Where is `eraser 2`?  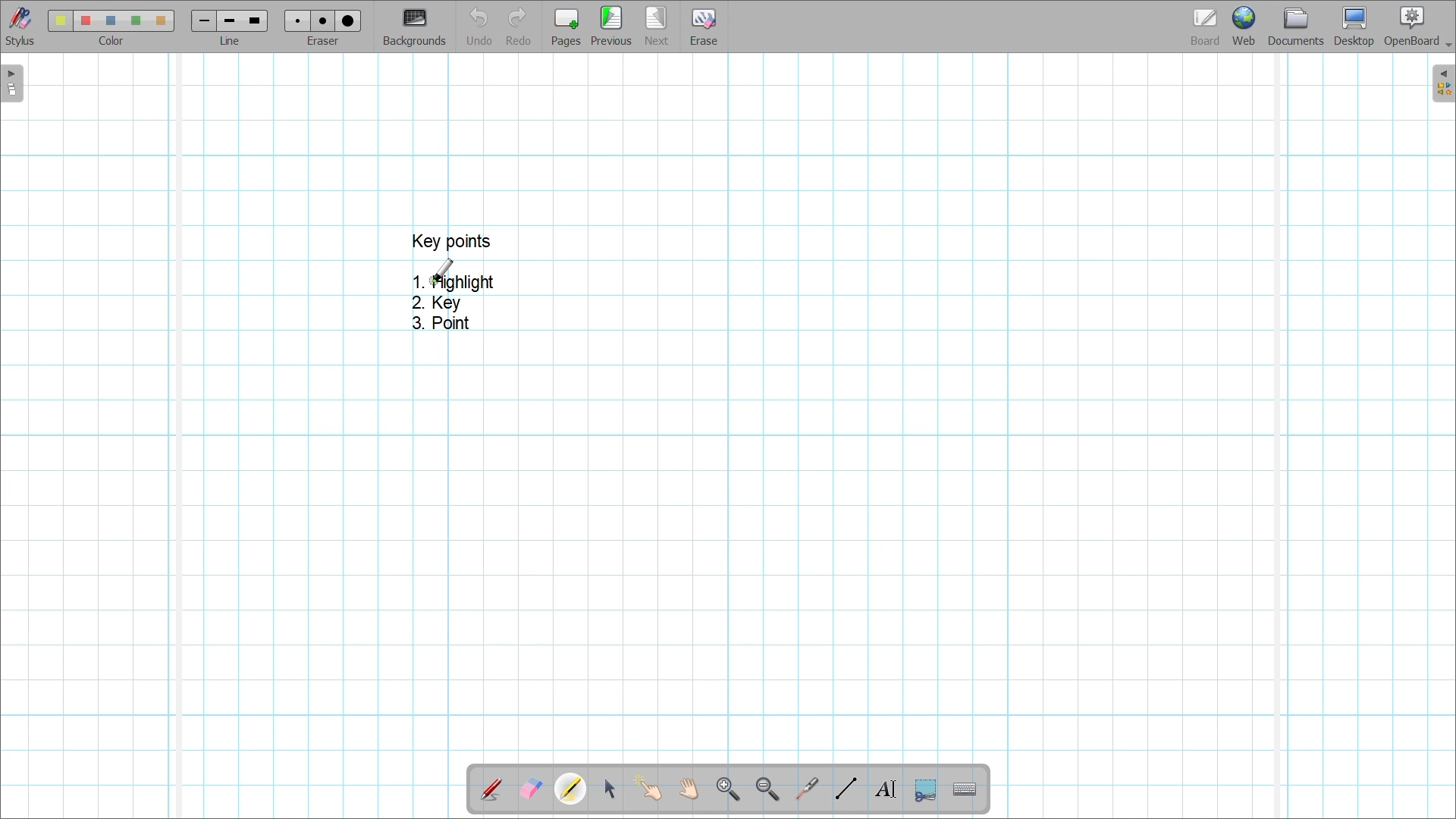 eraser 2 is located at coordinates (322, 20).